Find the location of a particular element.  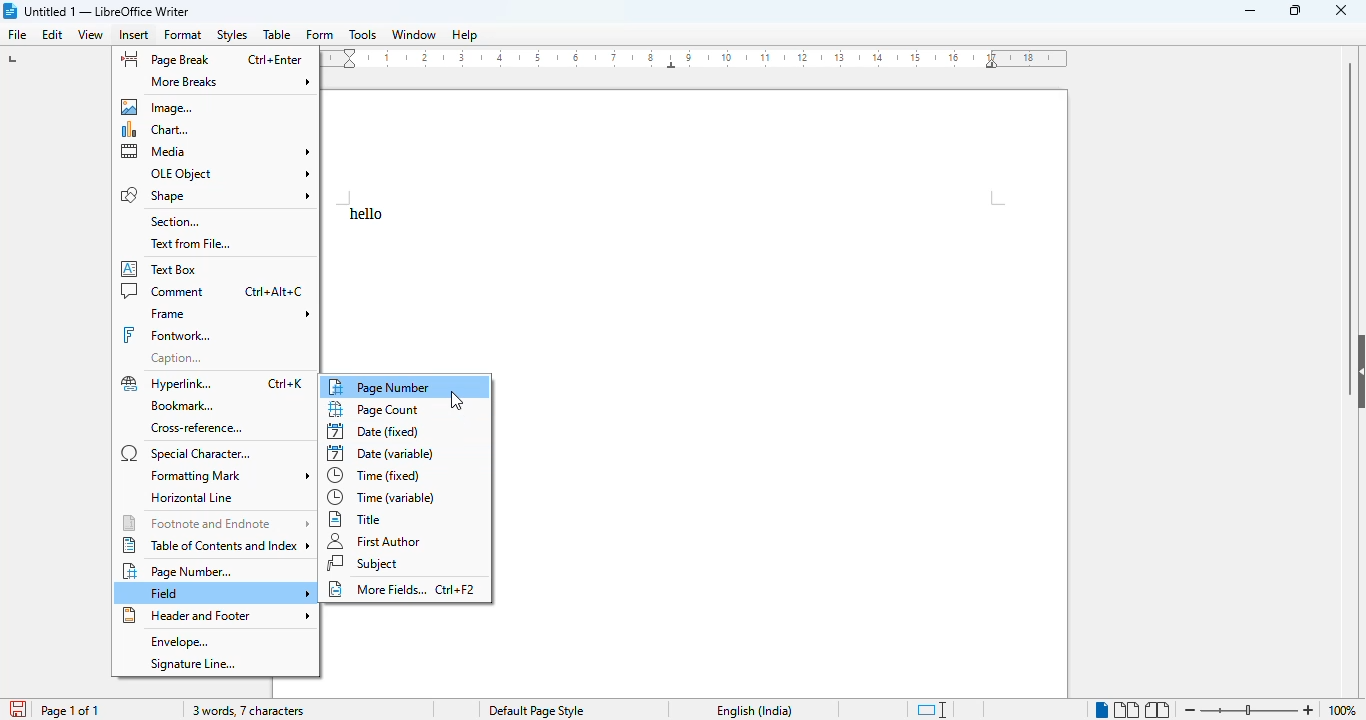

cross-reference is located at coordinates (197, 429).